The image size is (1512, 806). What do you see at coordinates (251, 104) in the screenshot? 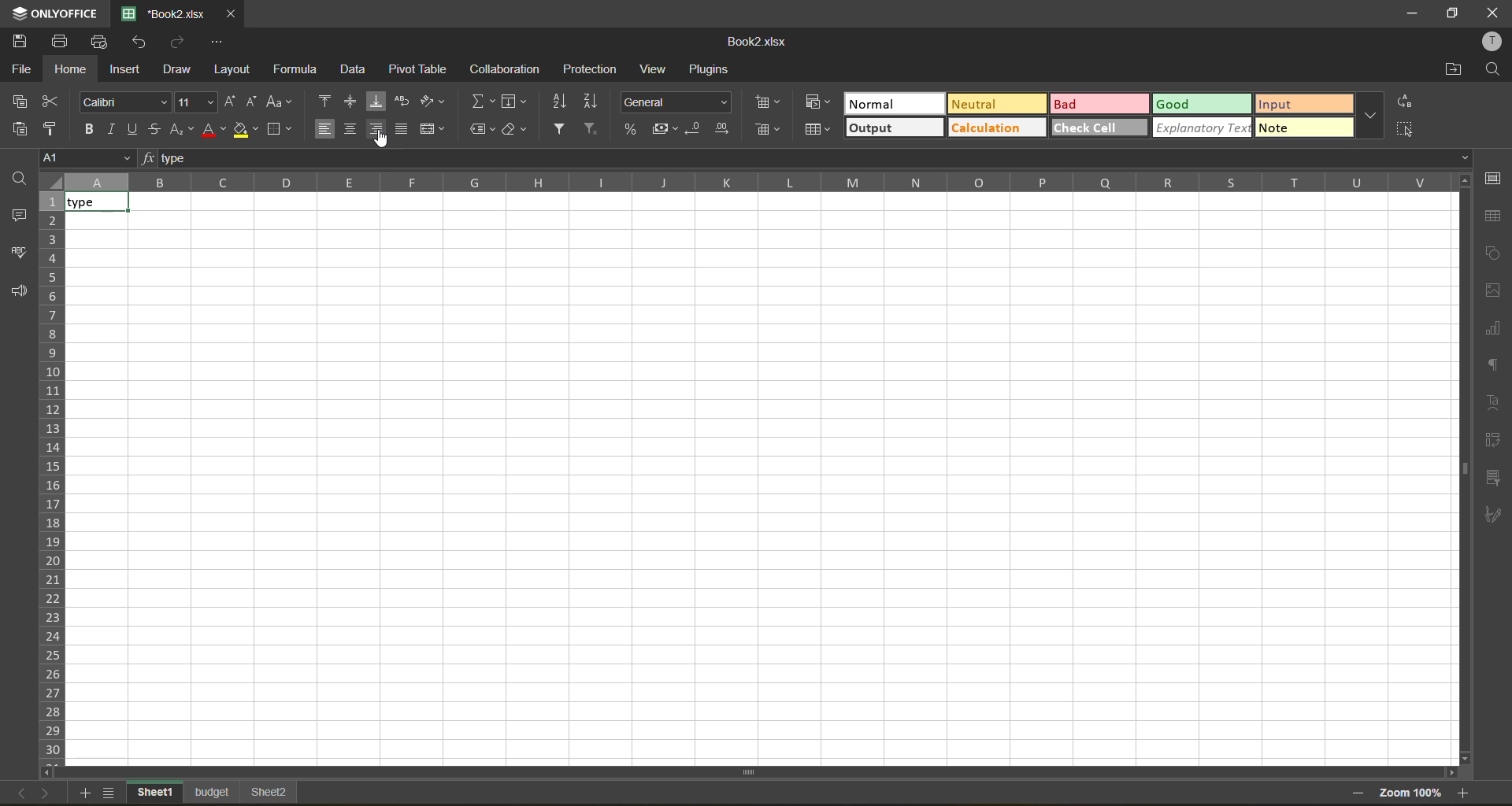
I see `decrement size` at bounding box center [251, 104].